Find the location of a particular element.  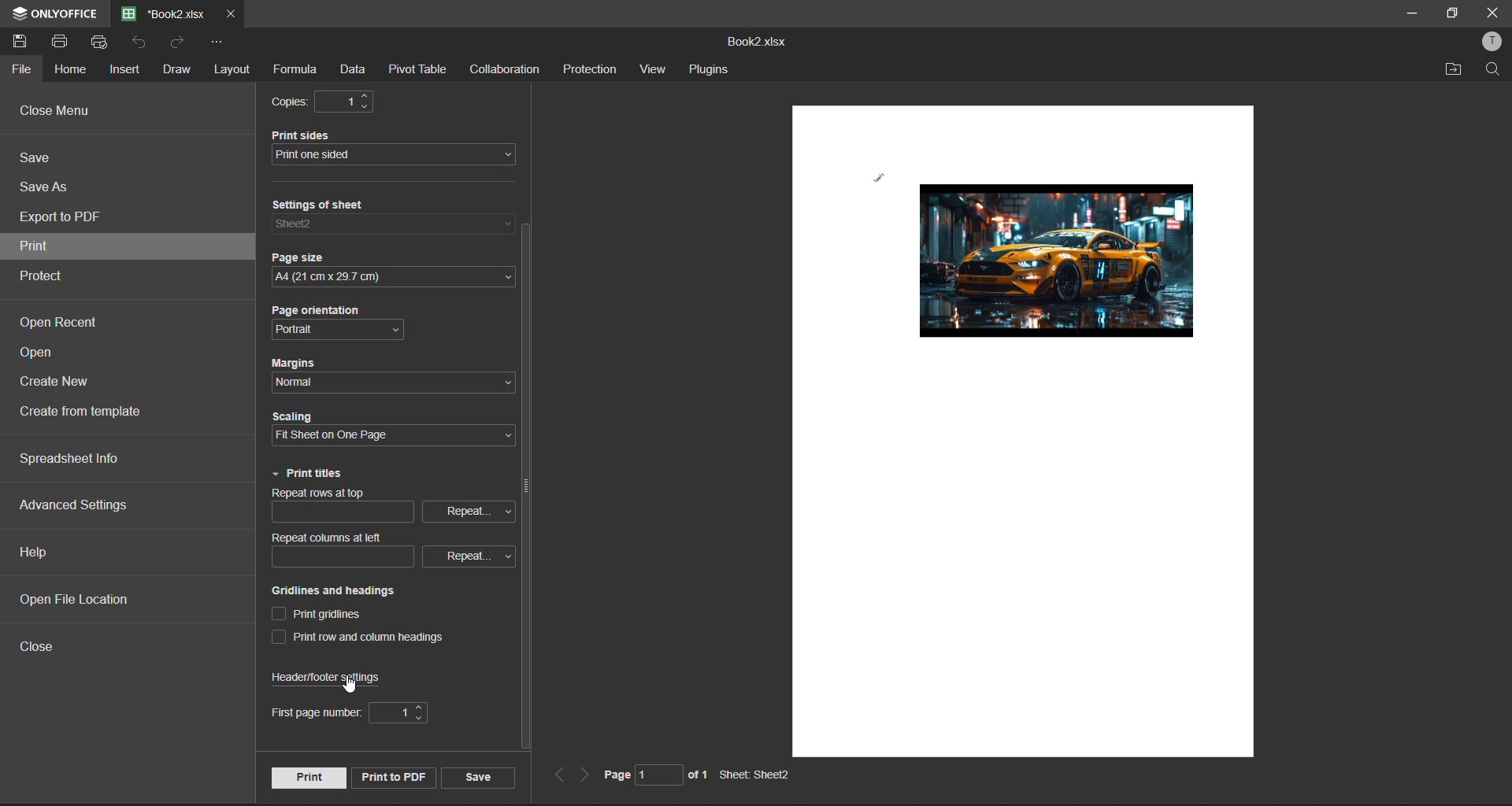

minimize is located at coordinates (1409, 12).